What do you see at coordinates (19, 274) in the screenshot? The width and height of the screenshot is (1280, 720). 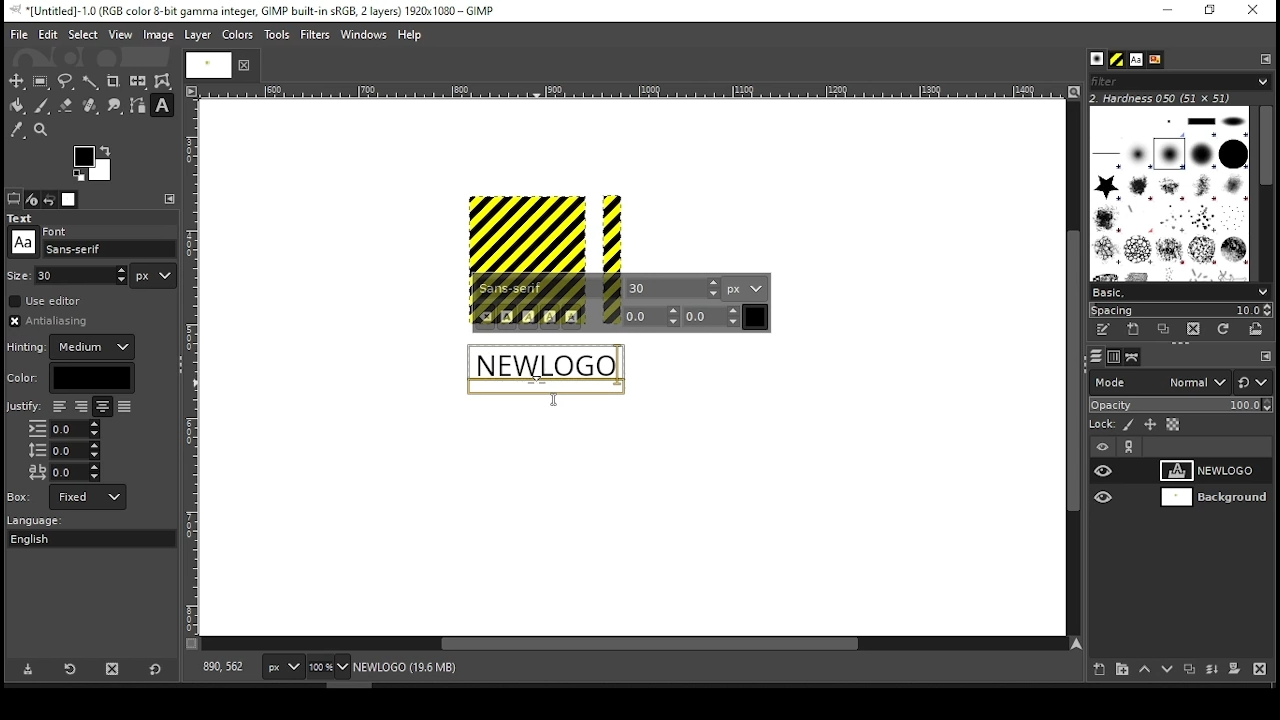 I see `` at bounding box center [19, 274].